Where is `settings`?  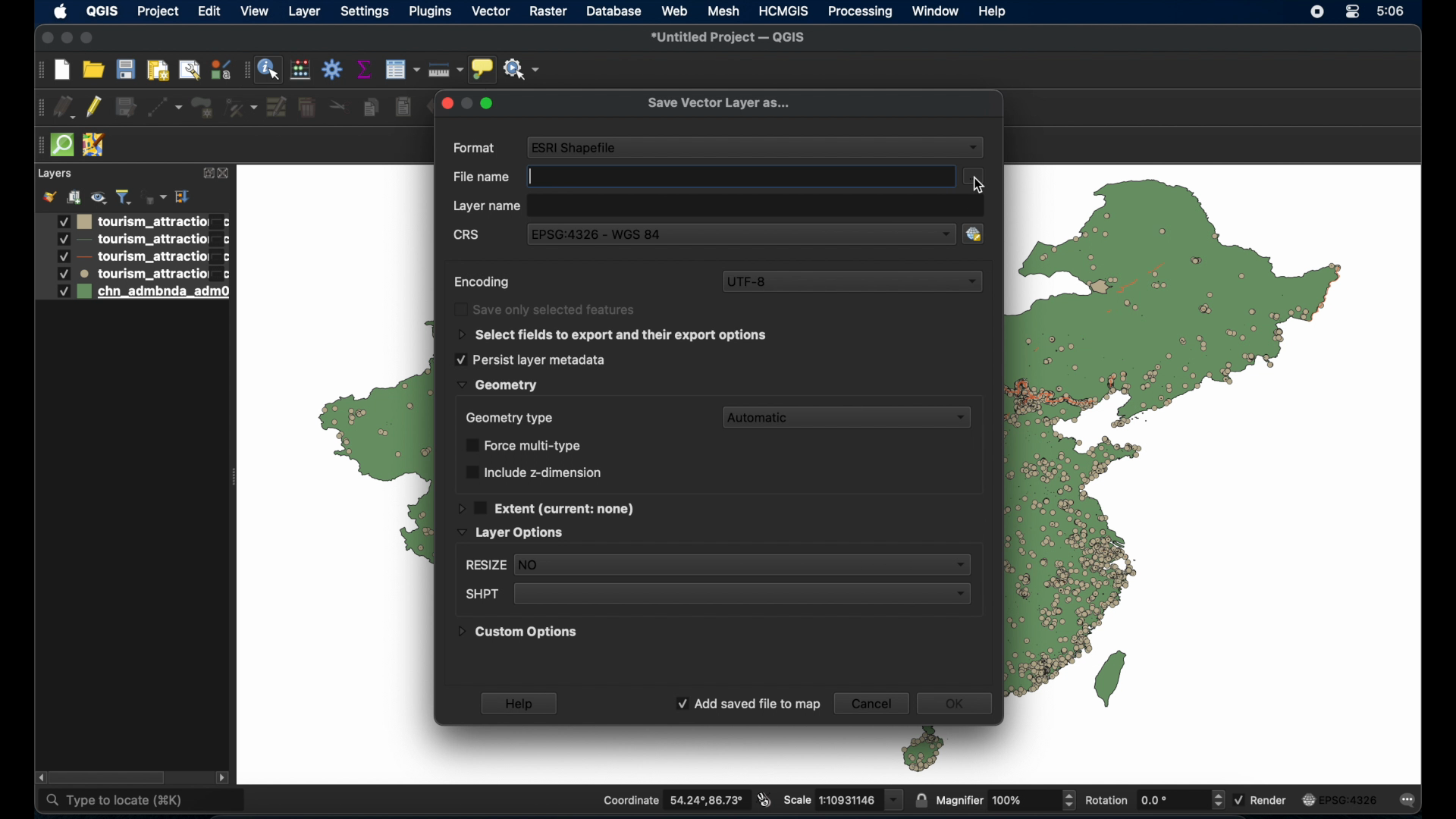 settings is located at coordinates (364, 13).